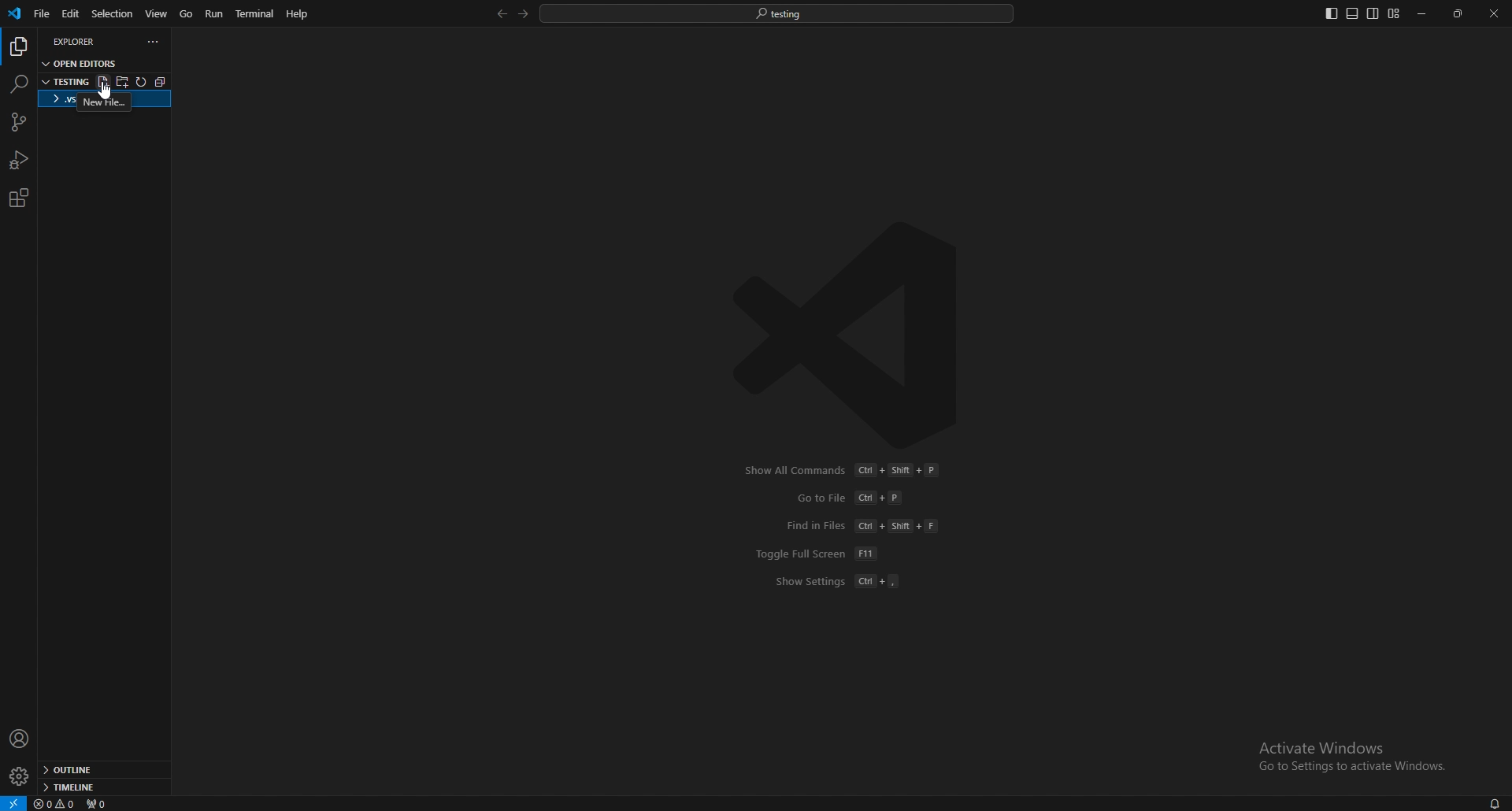  Describe the element at coordinates (83, 41) in the screenshot. I see `explorer` at that location.